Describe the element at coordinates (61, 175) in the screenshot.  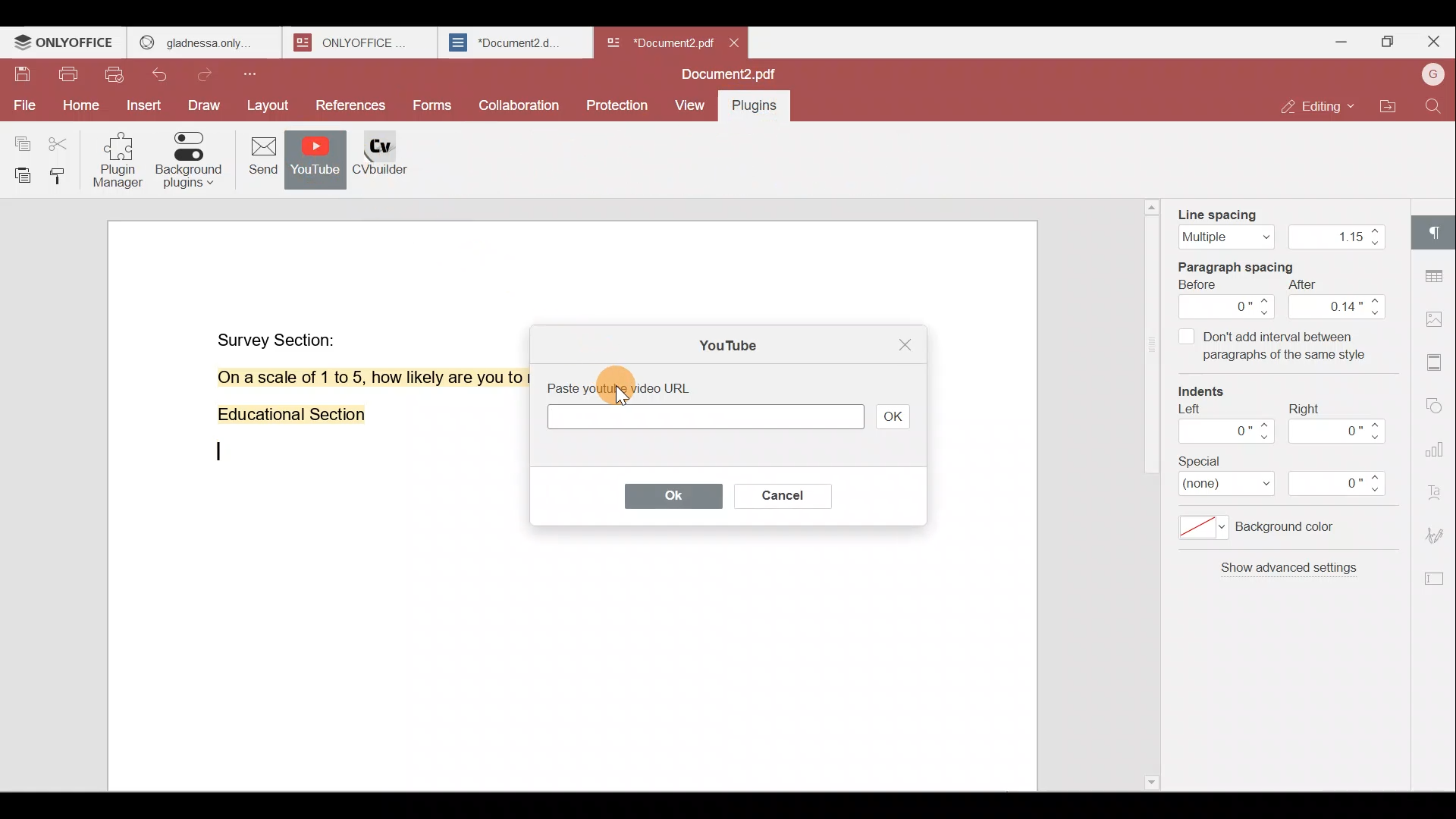
I see `Copy style` at that location.